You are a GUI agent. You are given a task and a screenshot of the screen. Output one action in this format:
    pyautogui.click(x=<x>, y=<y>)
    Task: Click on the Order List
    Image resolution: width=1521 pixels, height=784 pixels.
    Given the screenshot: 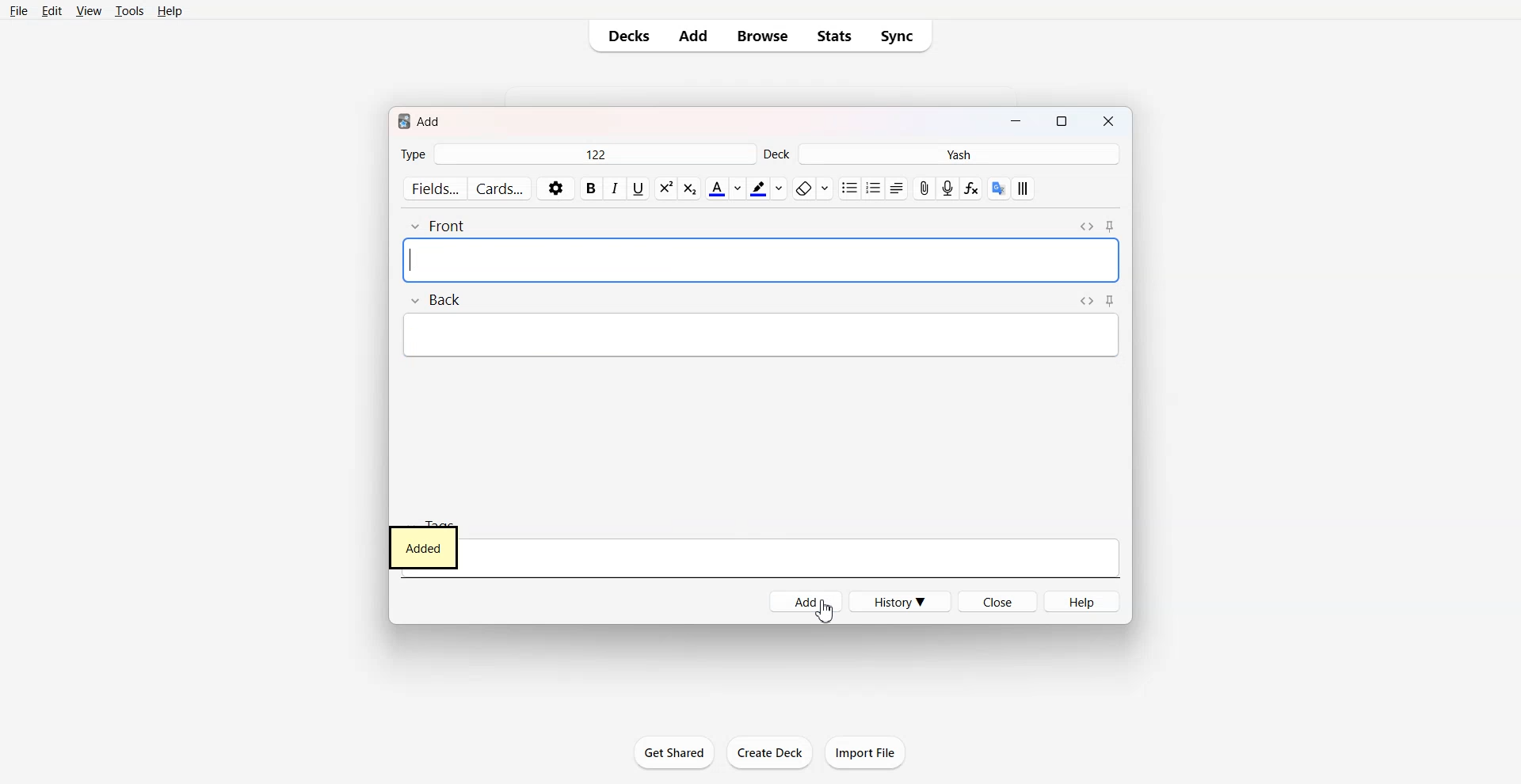 What is the action you would take?
    pyautogui.click(x=873, y=188)
    